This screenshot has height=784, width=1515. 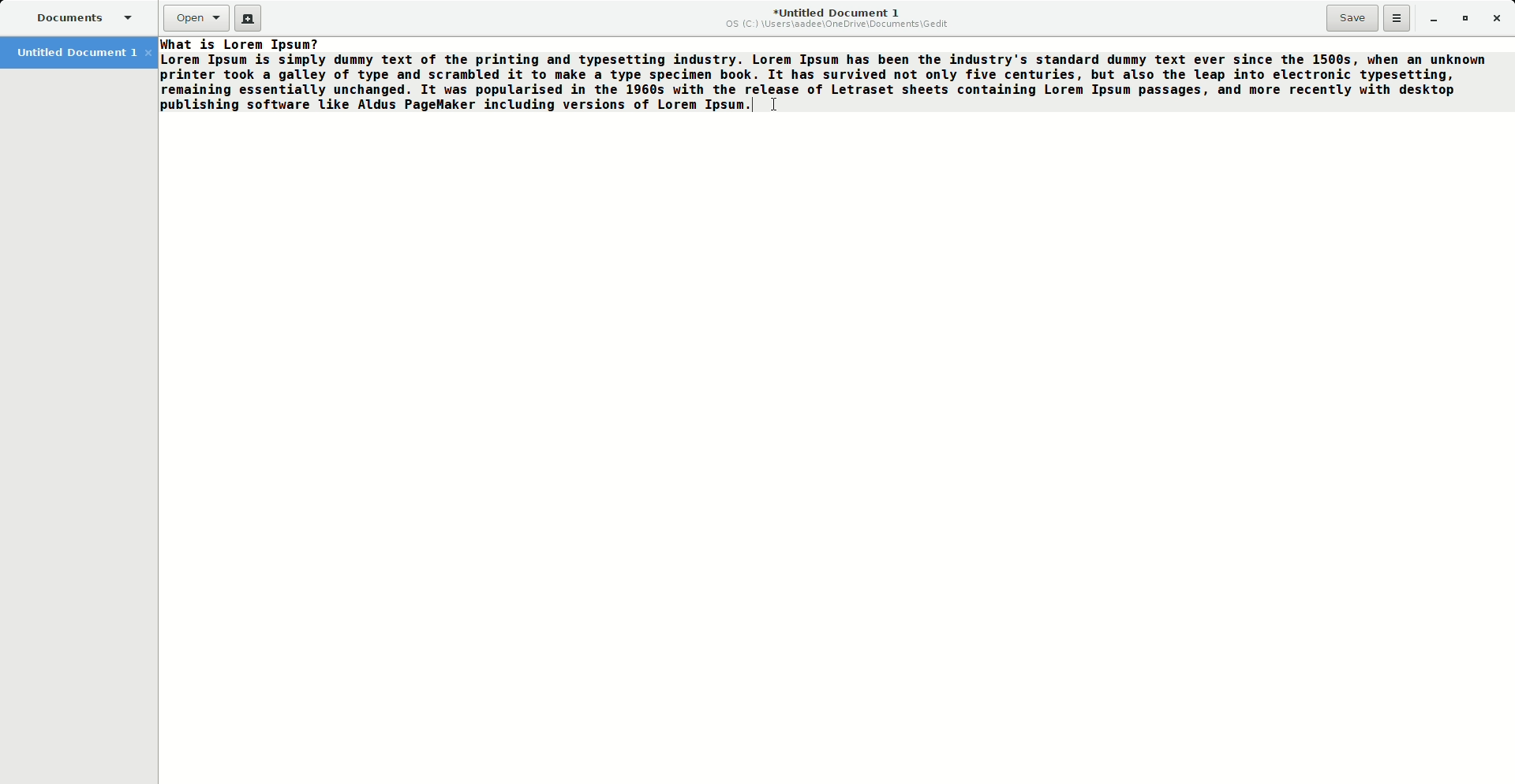 What do you see at coordinates (1428, 18) in the screenshot?
I see `Minimize` at bounding box center [1428, 18].